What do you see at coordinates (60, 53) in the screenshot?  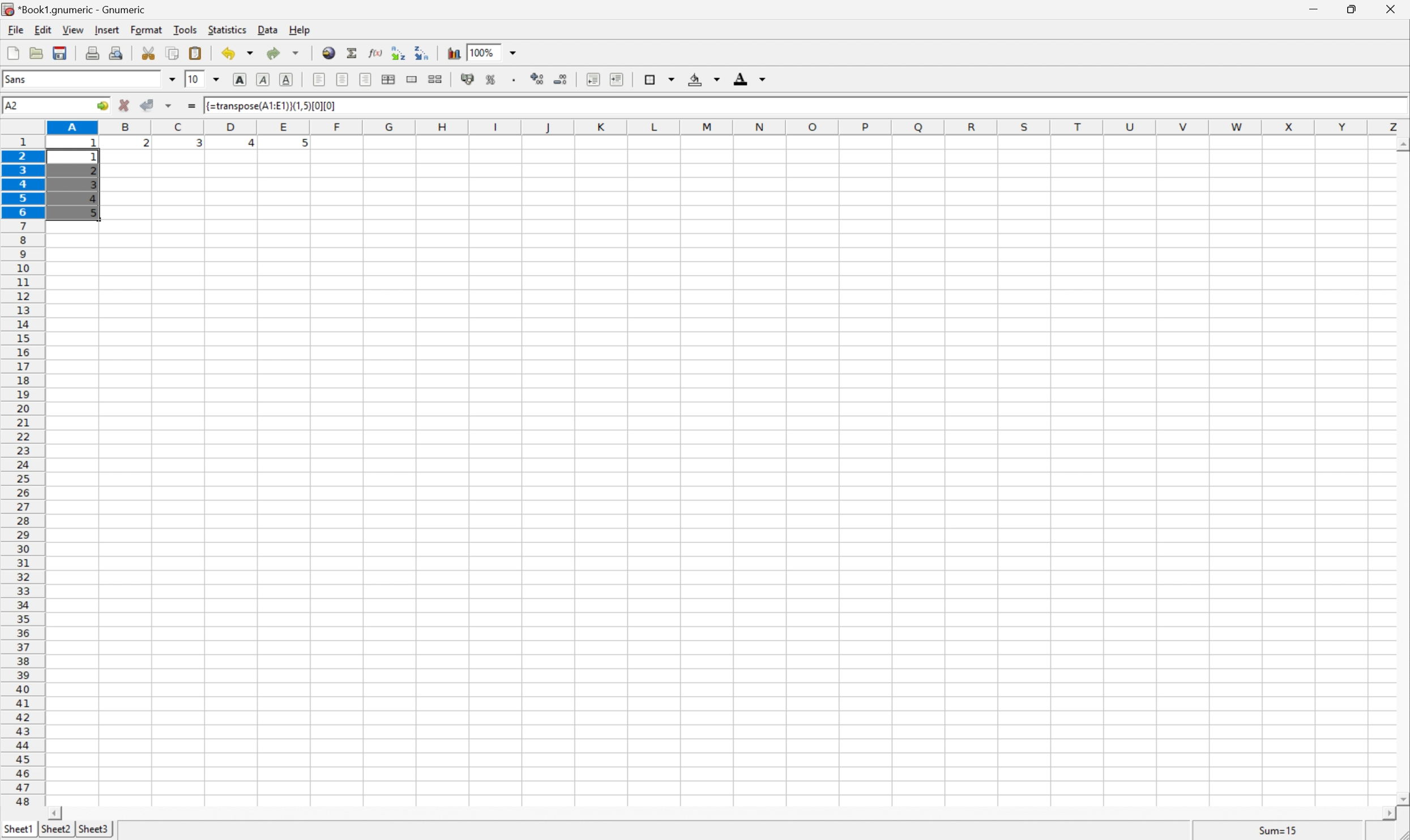 I see `save current workbook` at bounding box center [60, 53].